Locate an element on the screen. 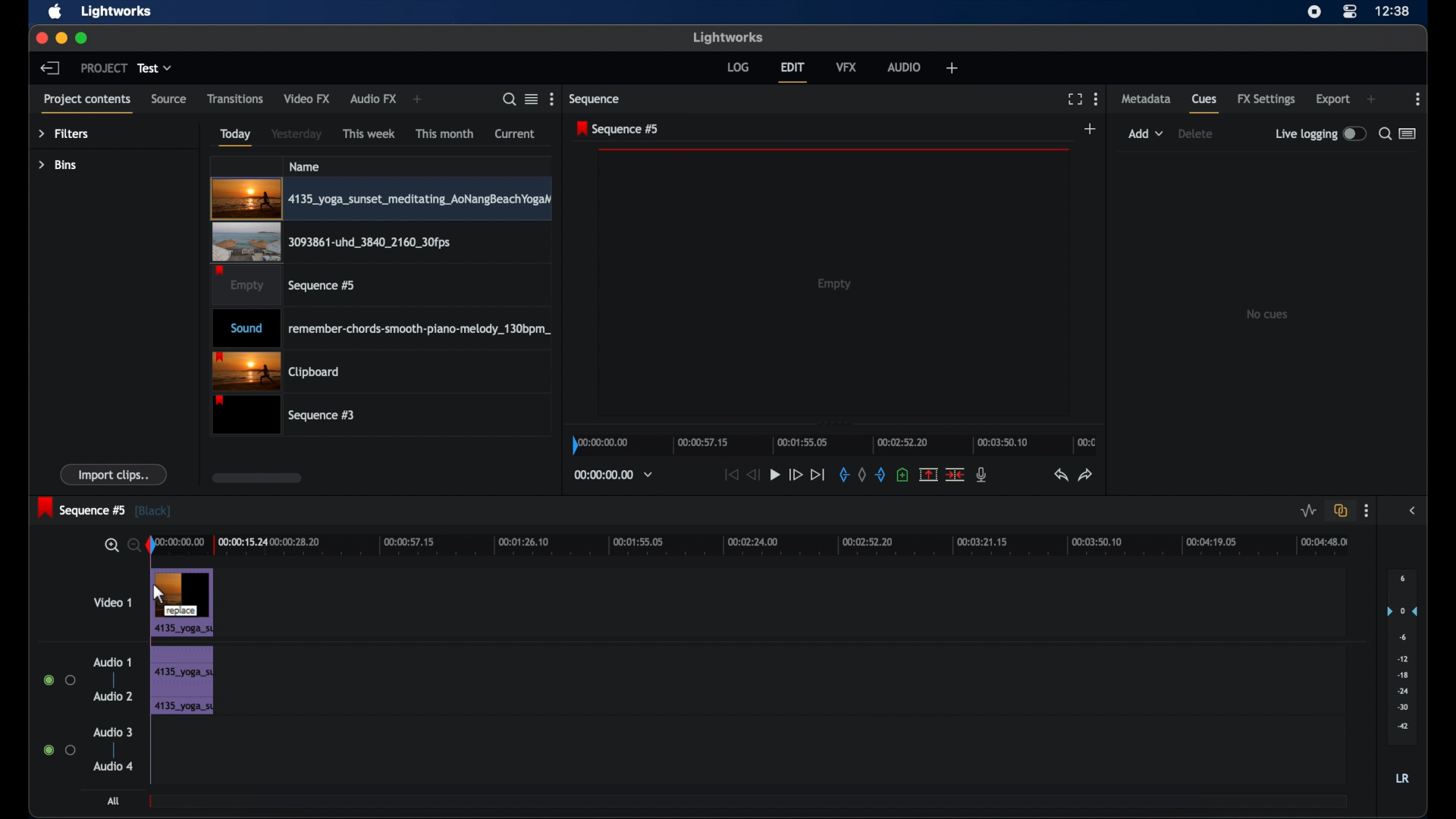 The image size is (1456, 819). toggle between list or logger view is located at coordinates (1407, 133).